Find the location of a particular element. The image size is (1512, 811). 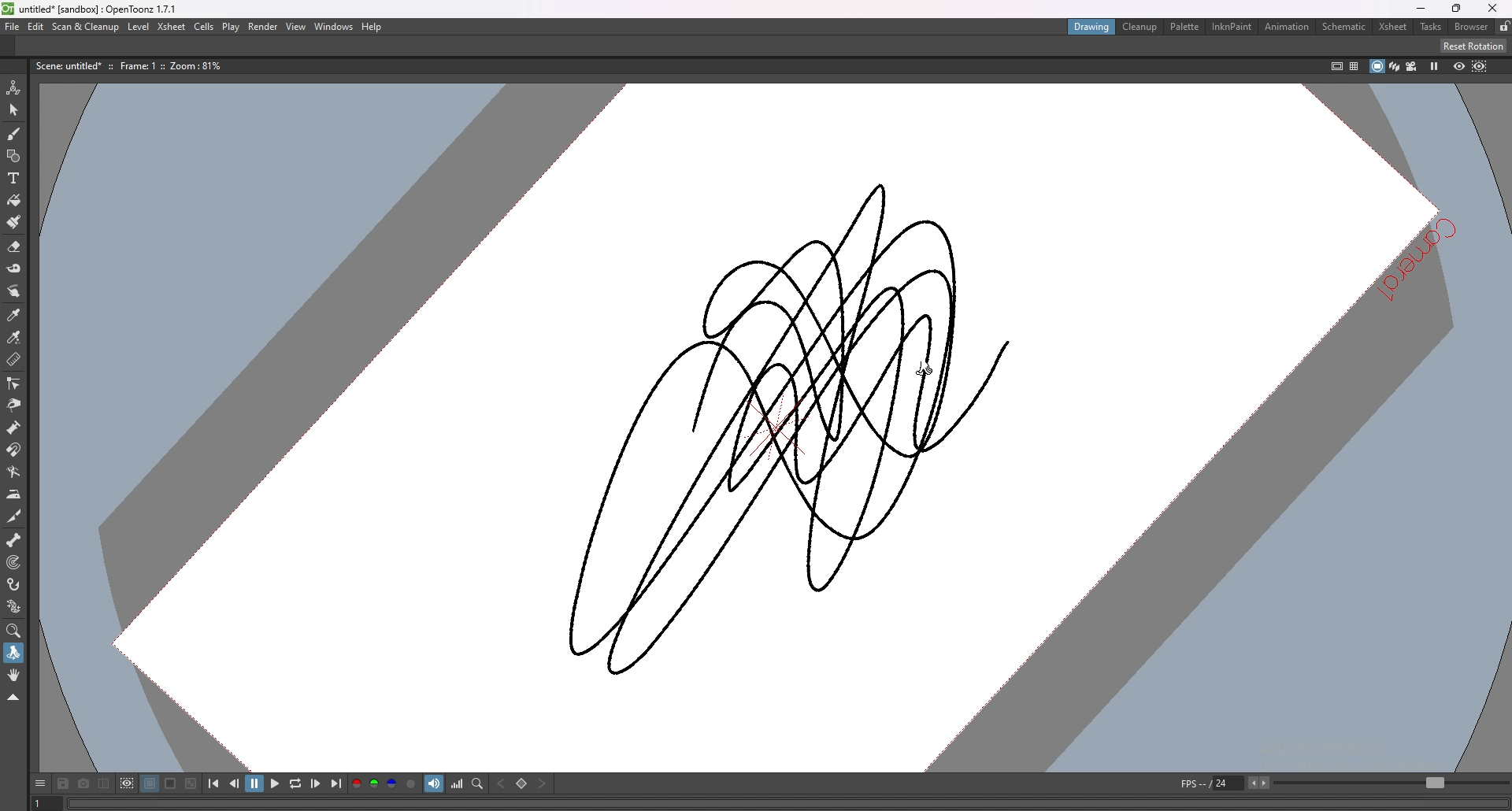

view is located at coordinates (296, 26).